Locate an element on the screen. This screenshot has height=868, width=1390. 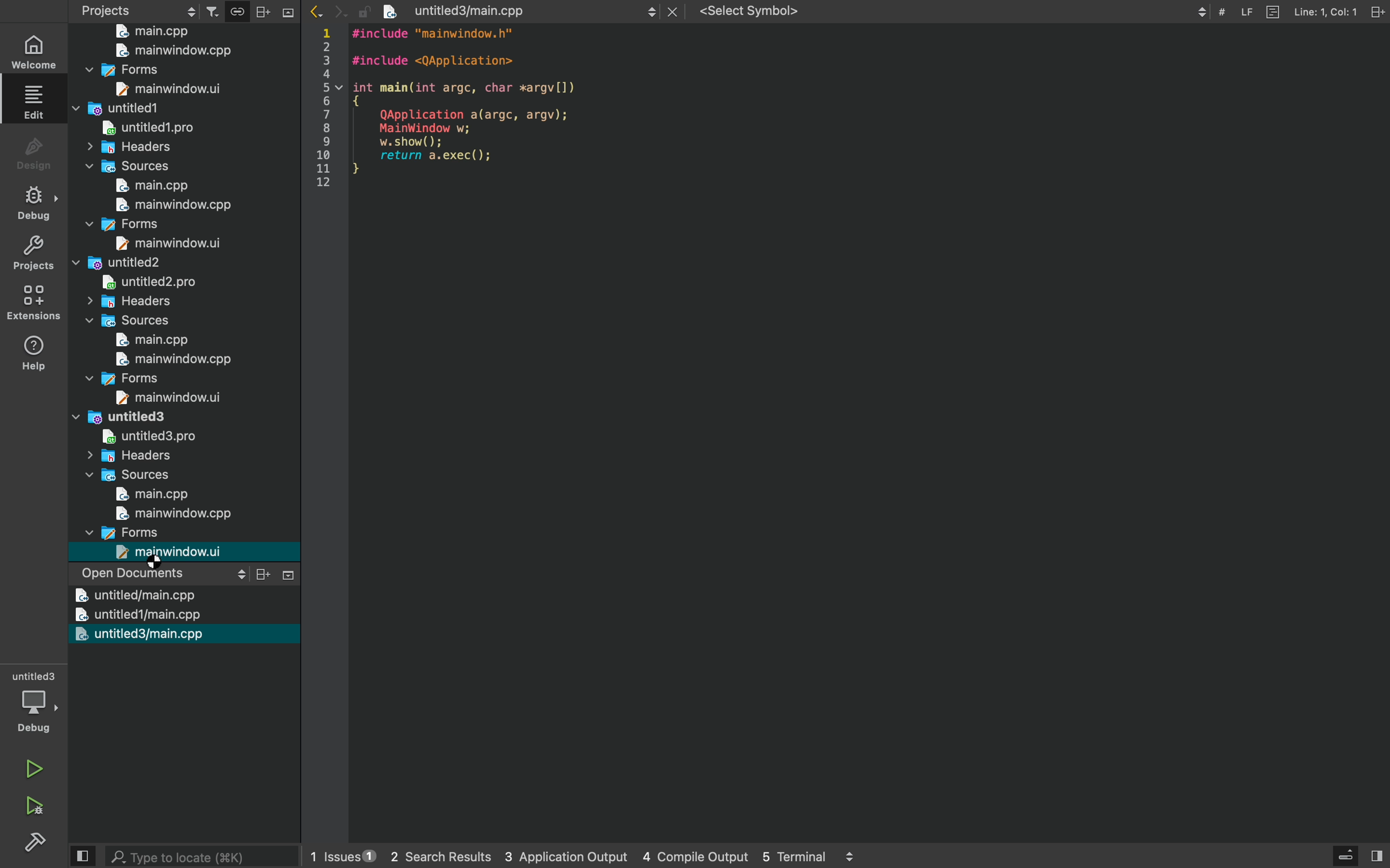
untiled is located at coordinates (150, 127).